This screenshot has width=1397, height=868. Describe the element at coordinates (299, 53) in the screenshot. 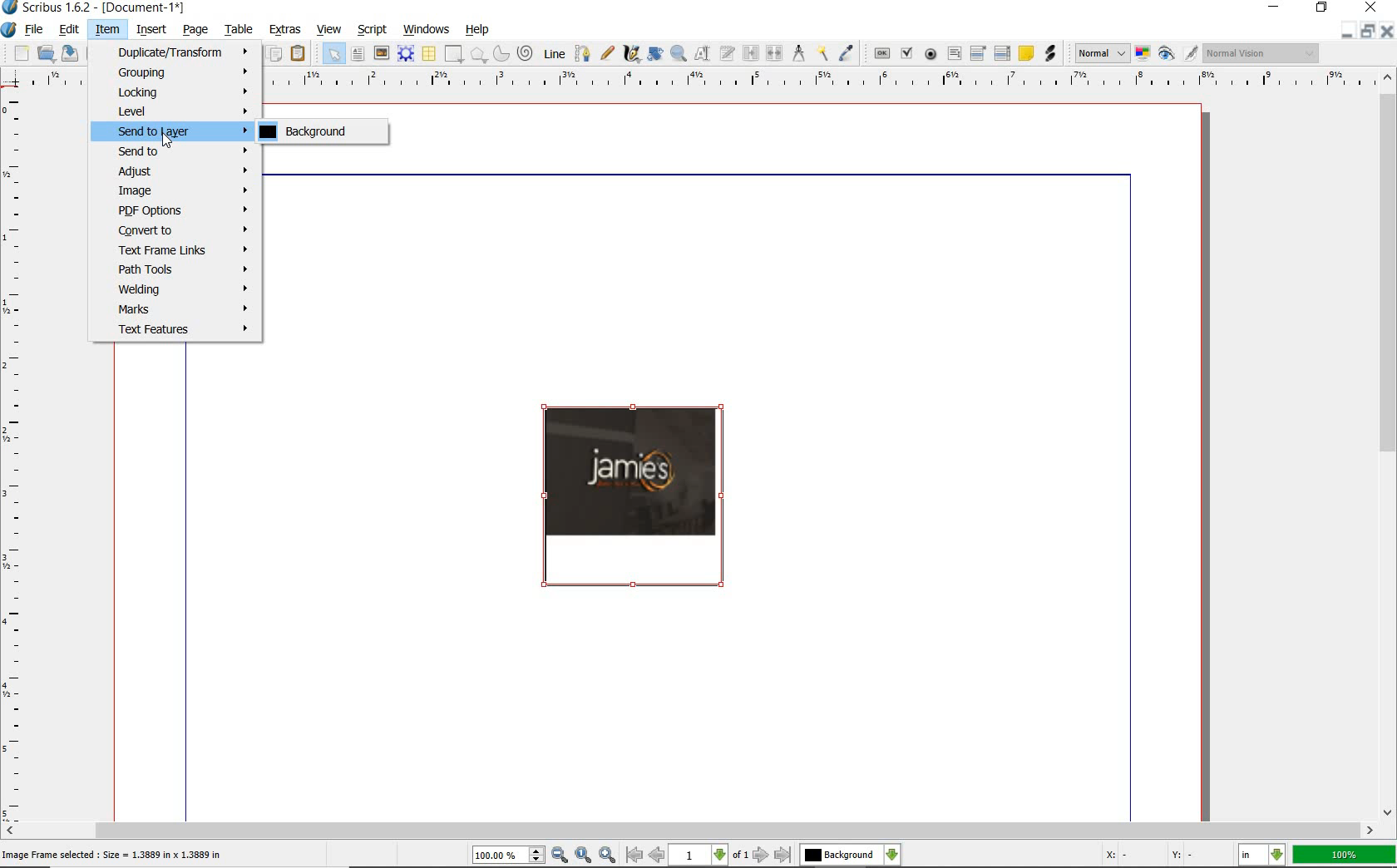

I see `paste` at that location.